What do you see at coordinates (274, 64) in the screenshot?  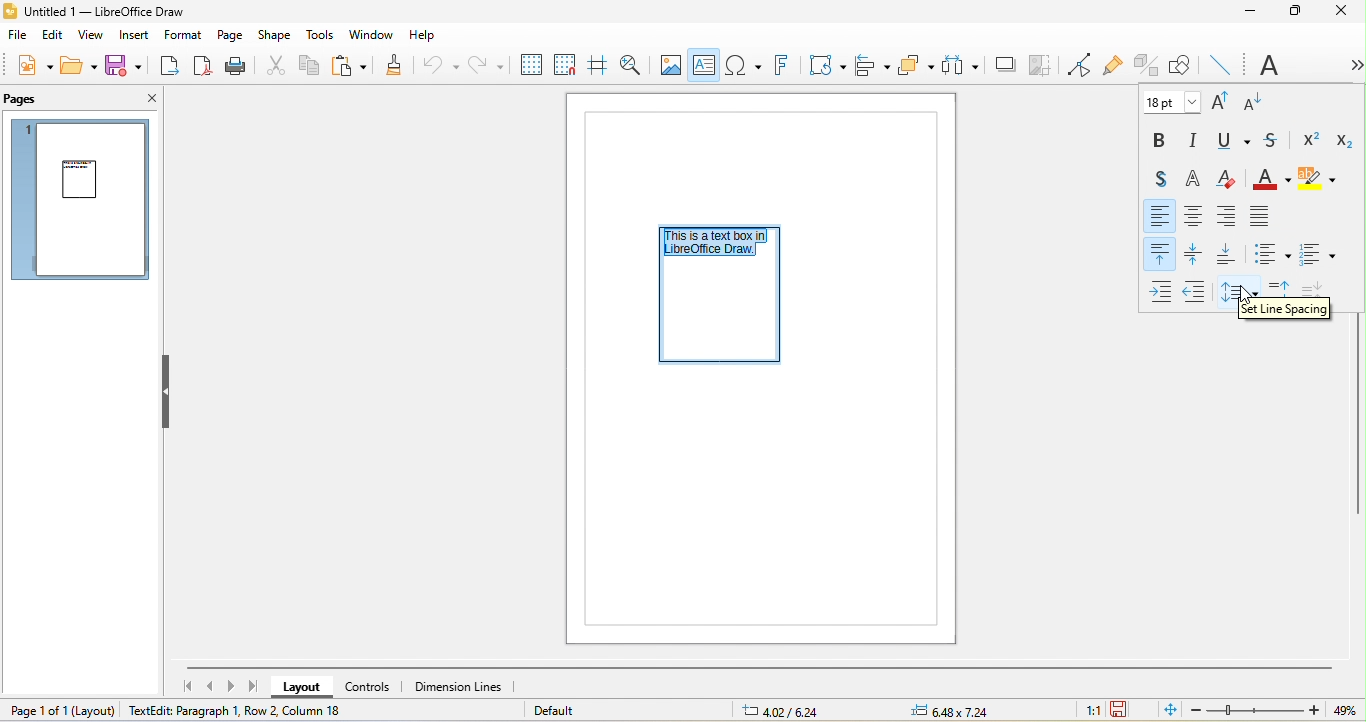 I see `cut` at bounding box center [274, 64].